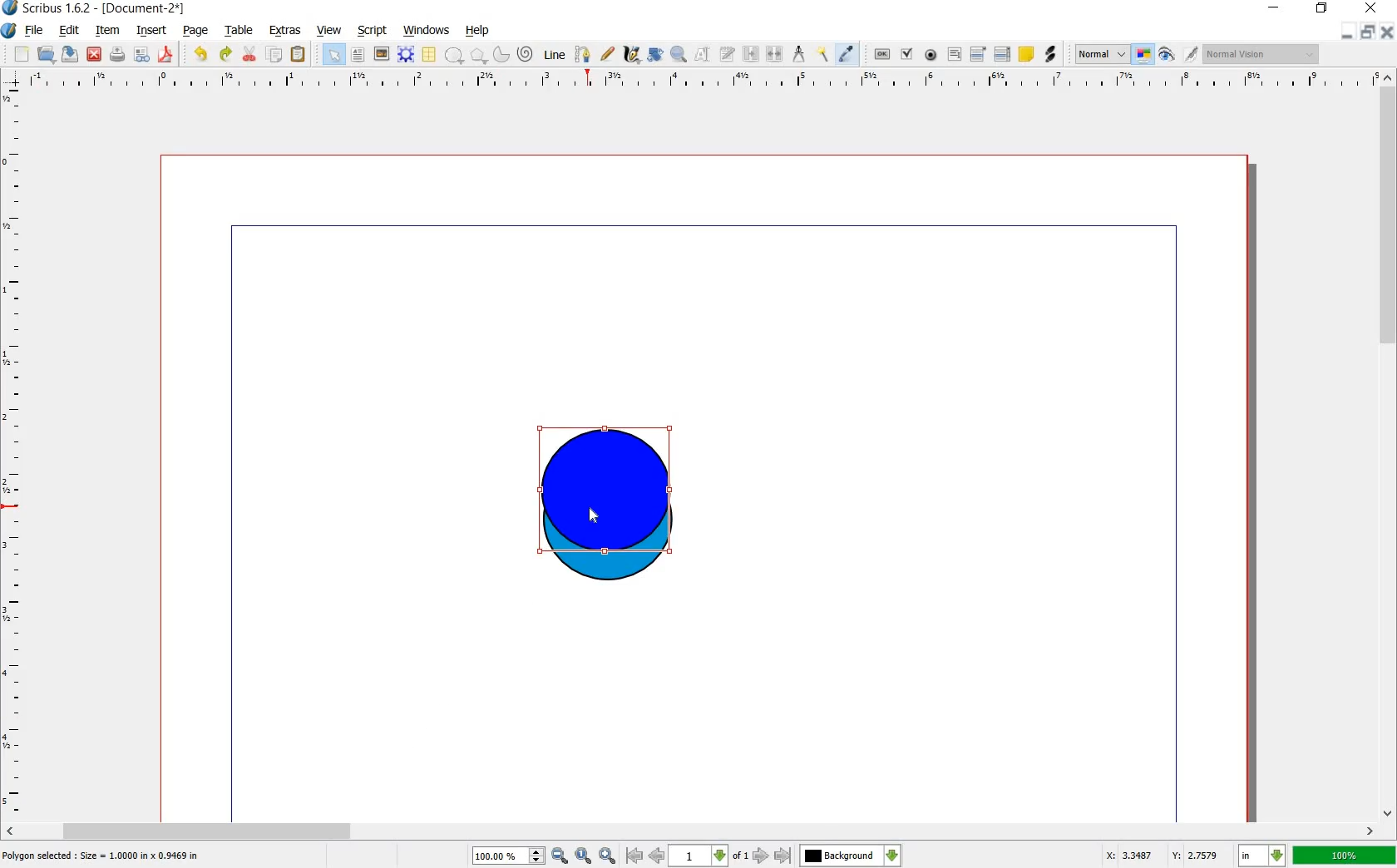 The width and height of the screenshot is (1397, 868). What do you see at coordinates (1387, 32) in the screenshot?
I see `close` at bounding box center [1387, 32].